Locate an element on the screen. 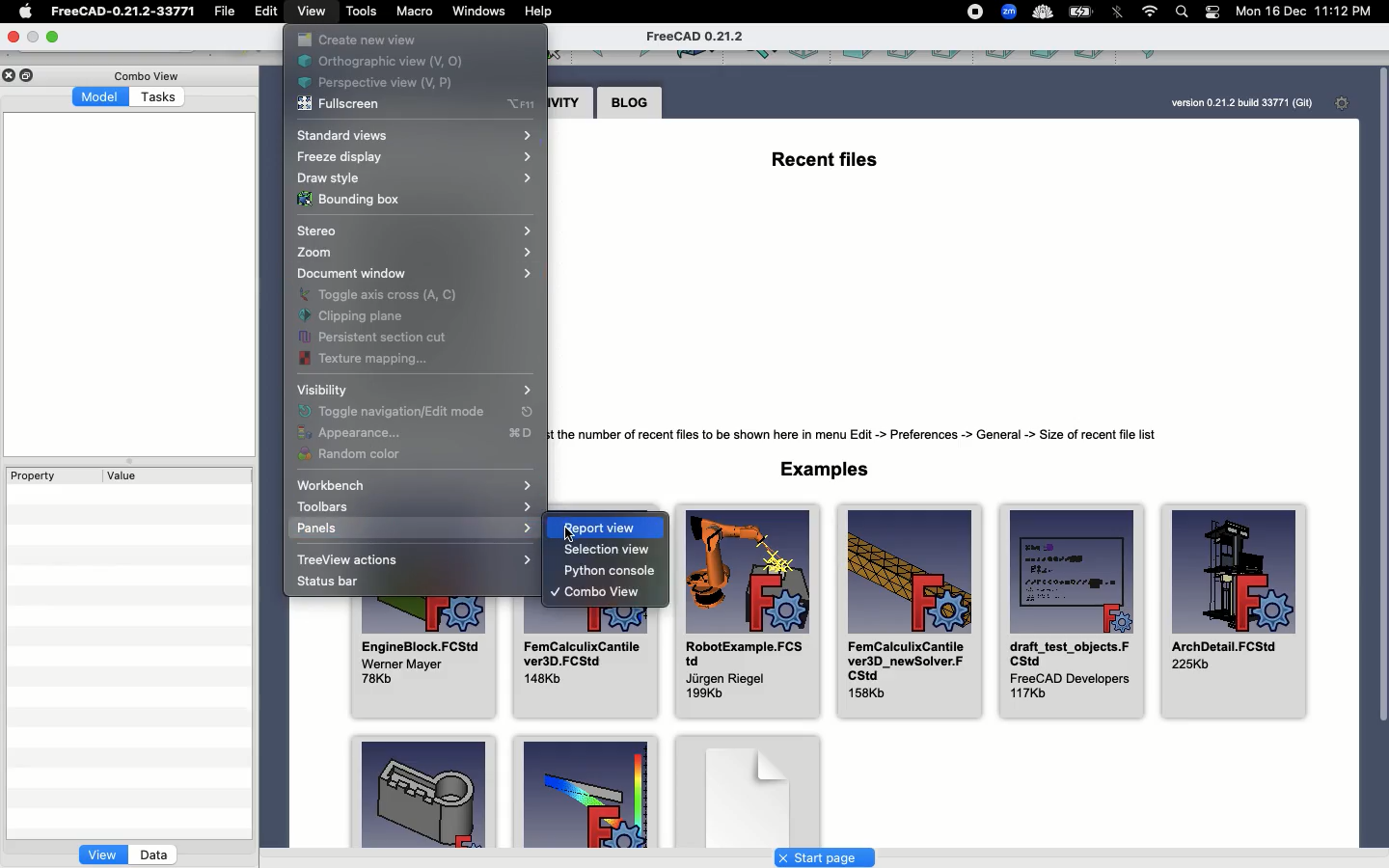 The width and height of the screenshot is (1389, 868). cursor is located at coordinates (567, 531).